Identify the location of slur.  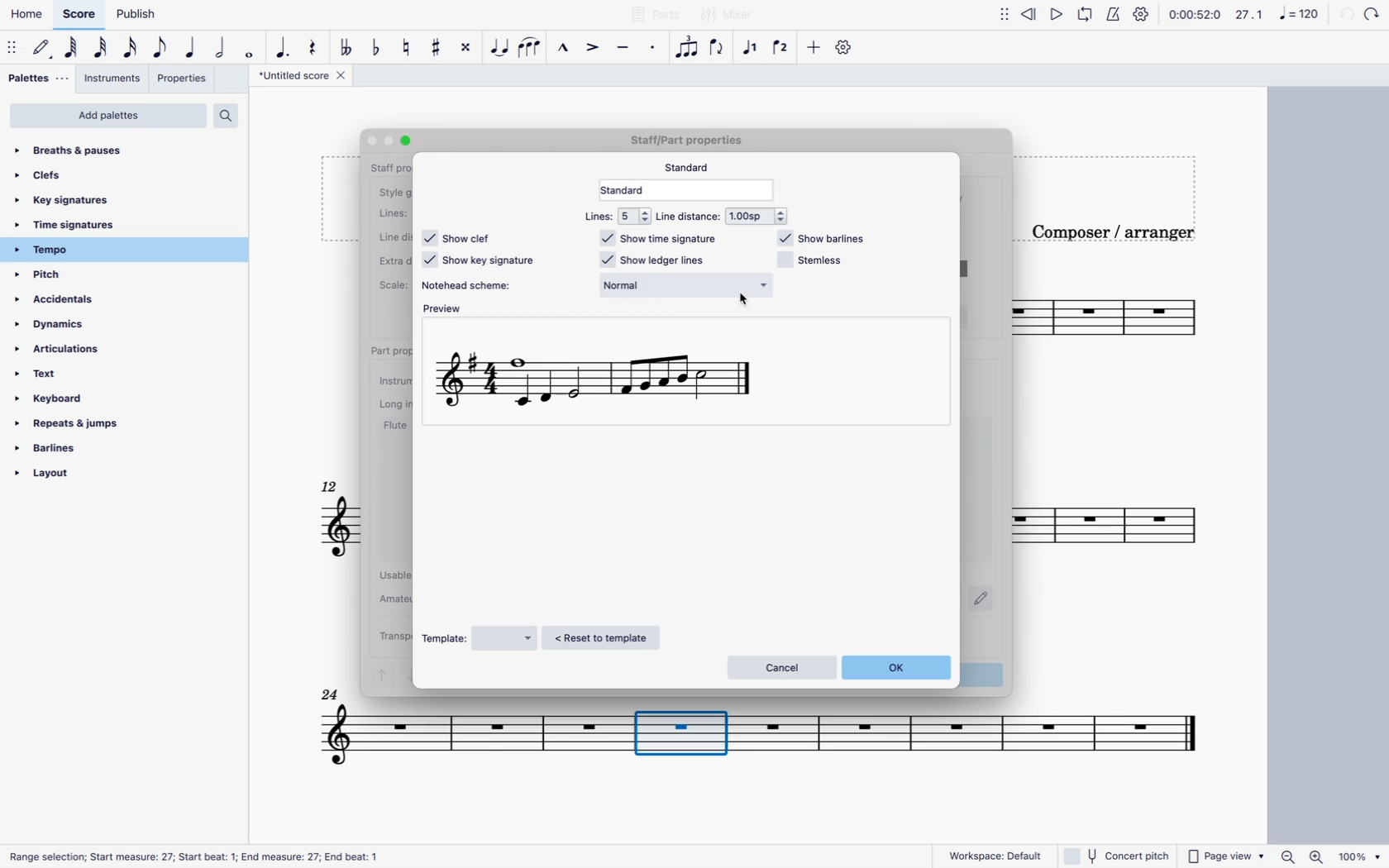
(532, 48).